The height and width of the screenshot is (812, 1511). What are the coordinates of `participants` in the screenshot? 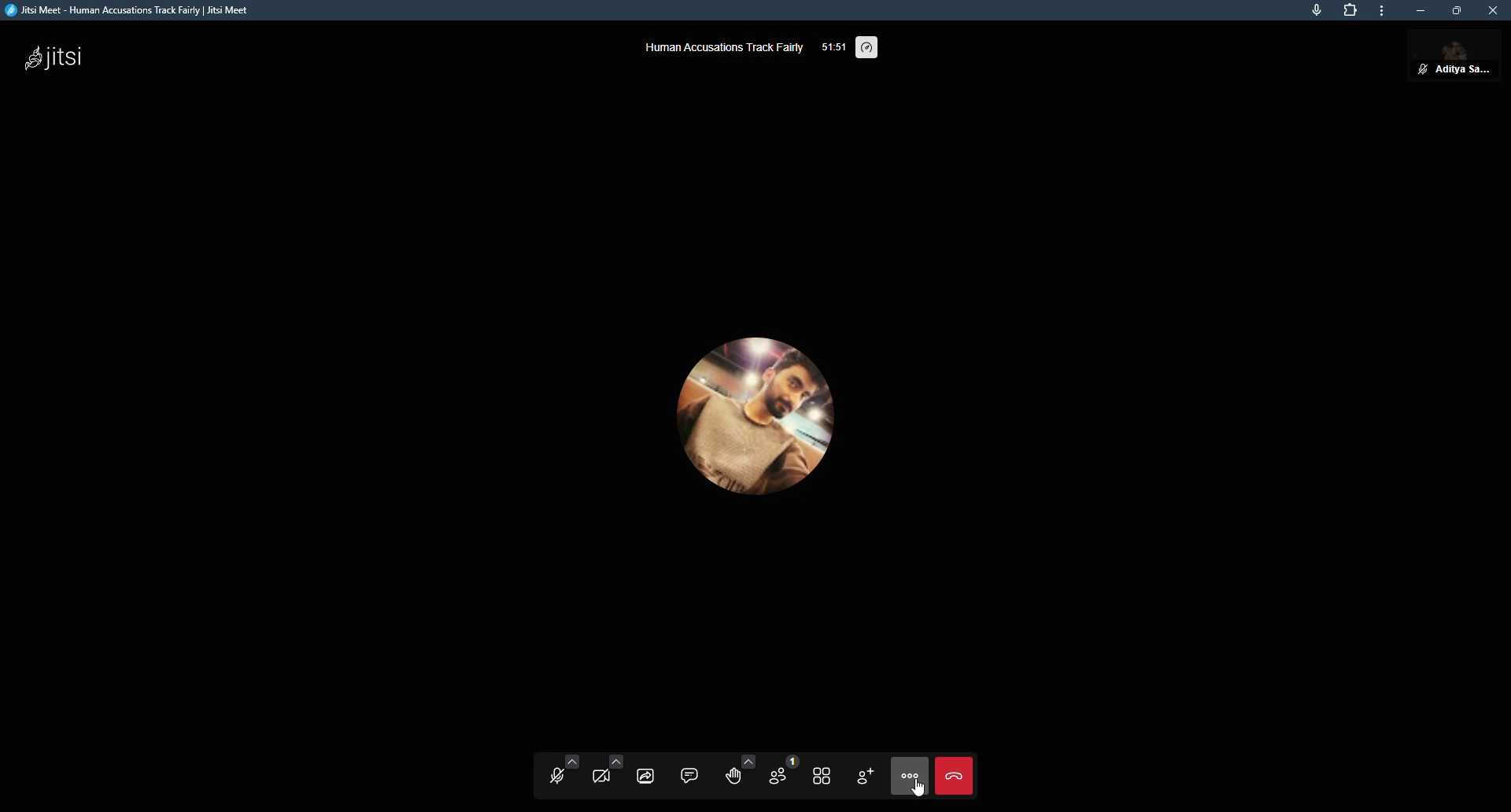 It's located at (780, 774).